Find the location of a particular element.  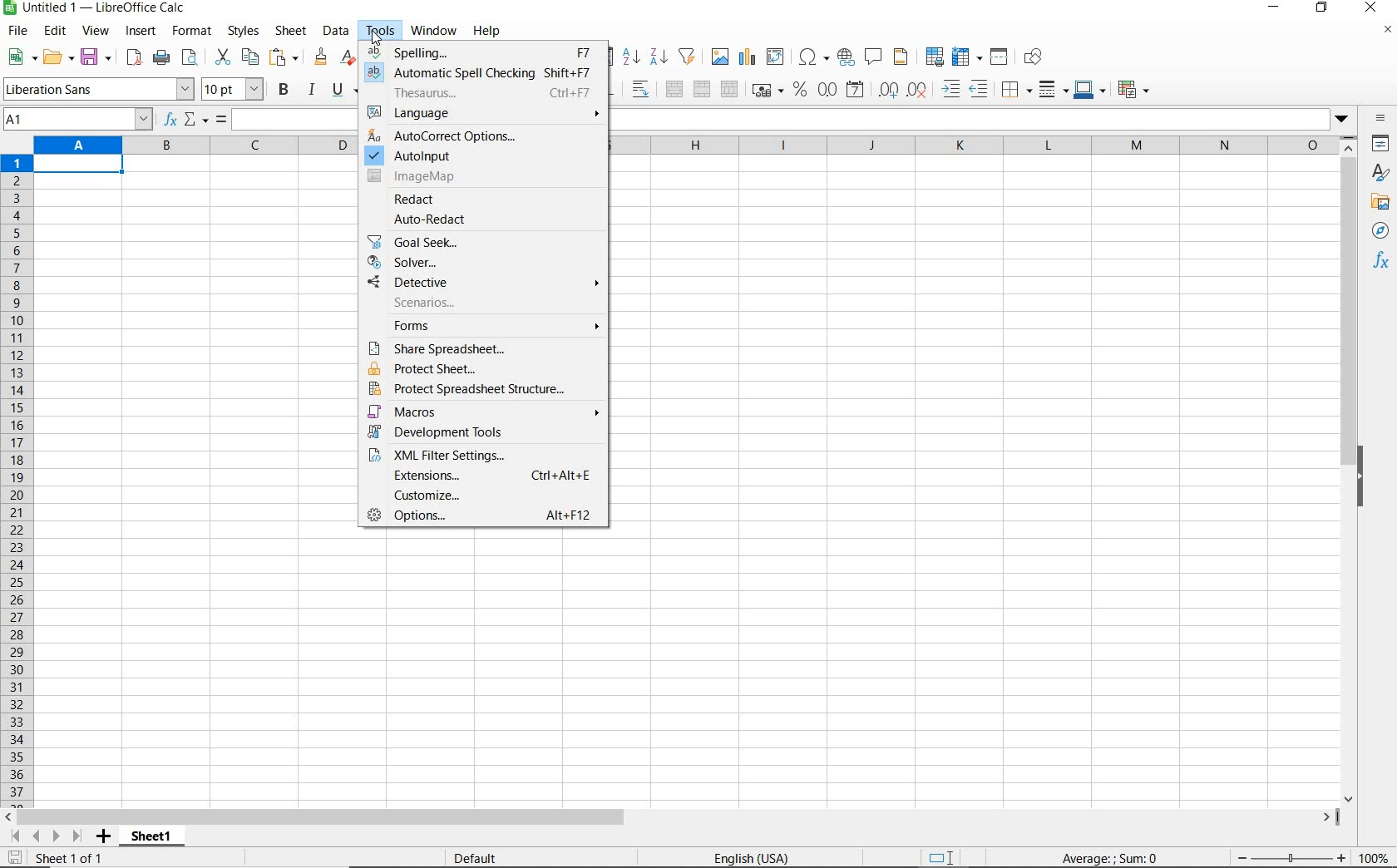

autofilter is located at coordinates (687, 57).